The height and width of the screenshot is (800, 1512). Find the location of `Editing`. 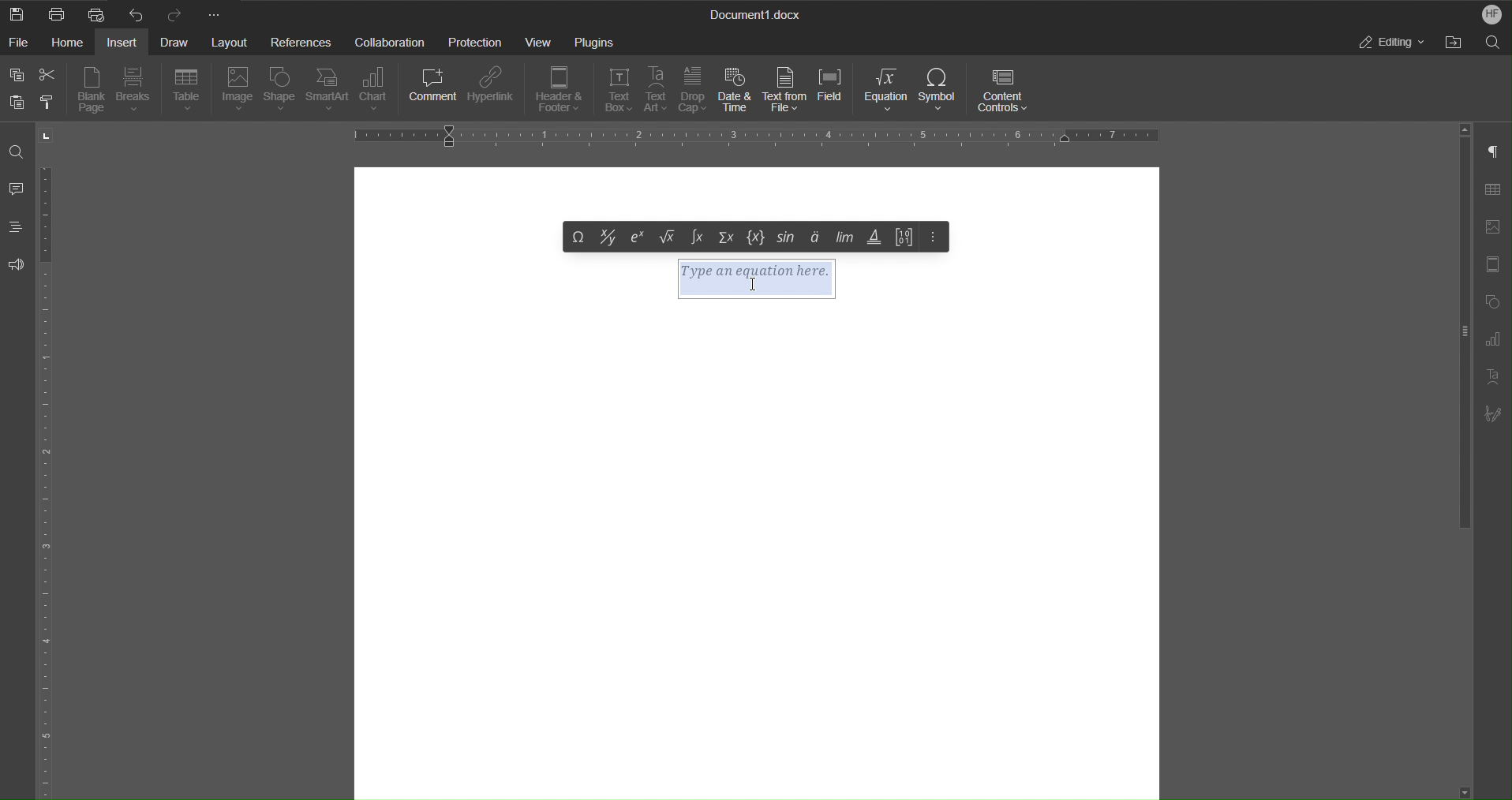

Editing is located at coordinates (1387, 44).